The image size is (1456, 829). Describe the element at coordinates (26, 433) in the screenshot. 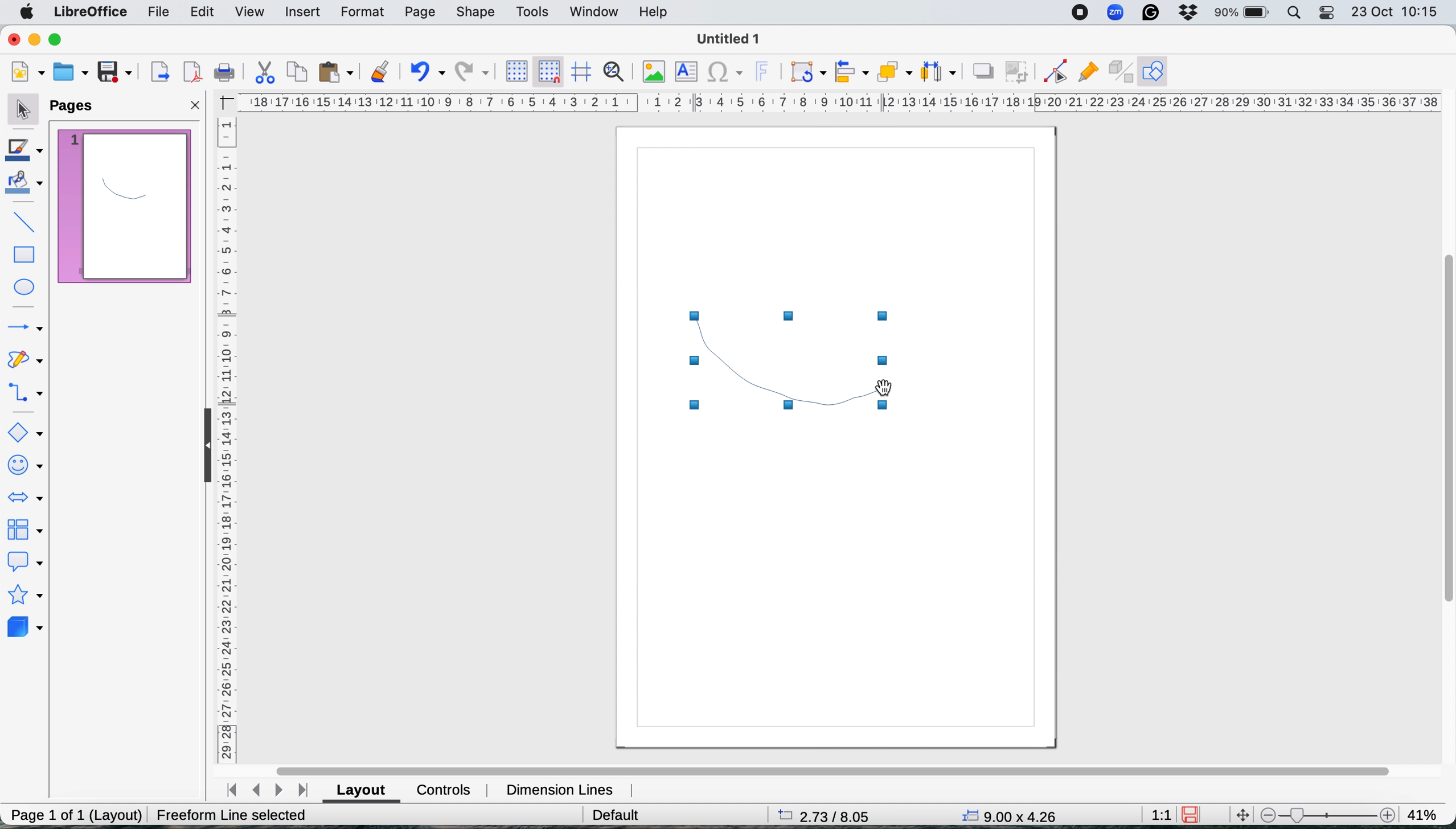

I see `basic shapes` at that location.